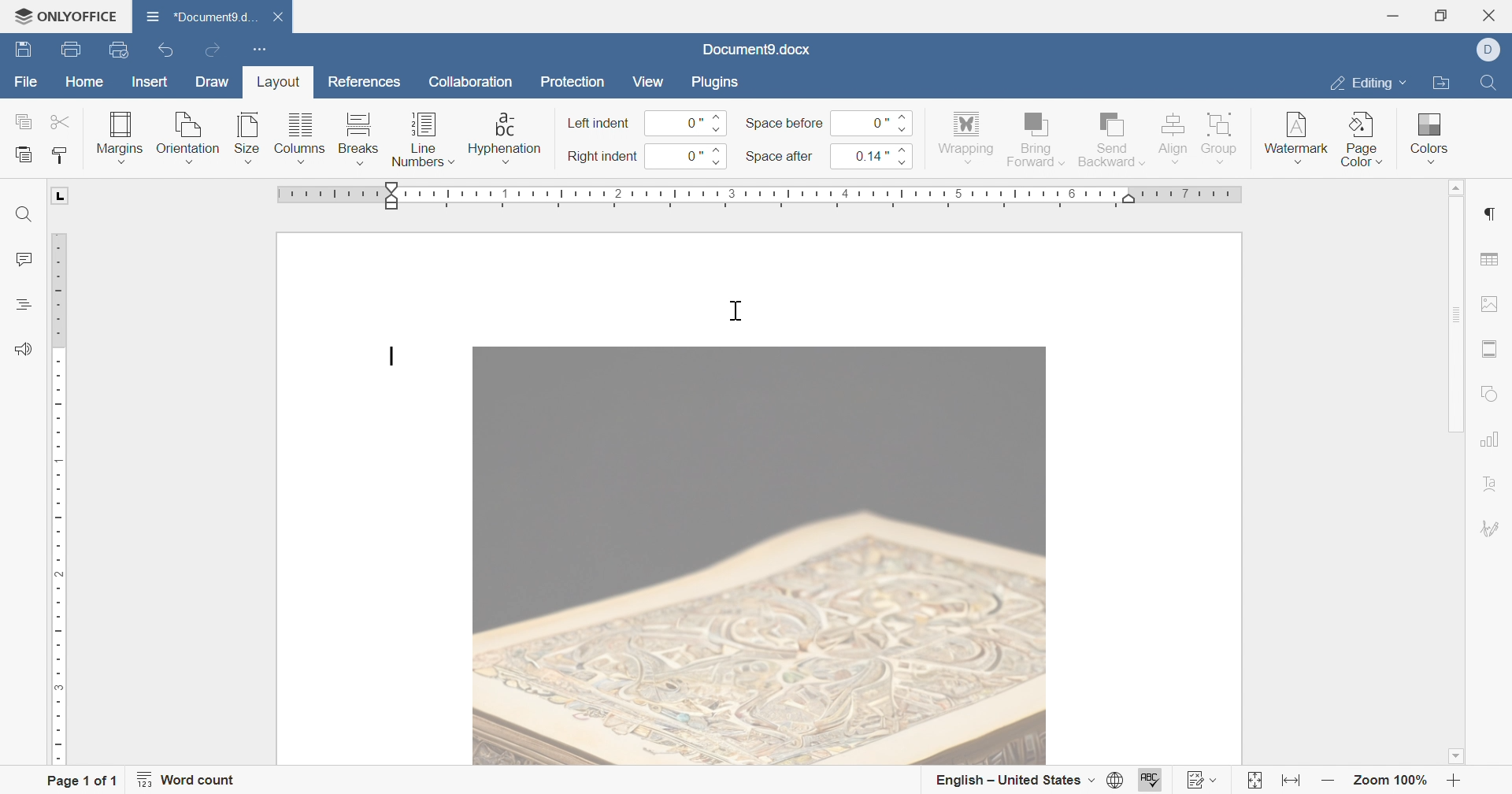 The image size is (1512, 794). Describe the element at coordinates (1455, 756) in the screenshot. I see `scroll down` at that location.